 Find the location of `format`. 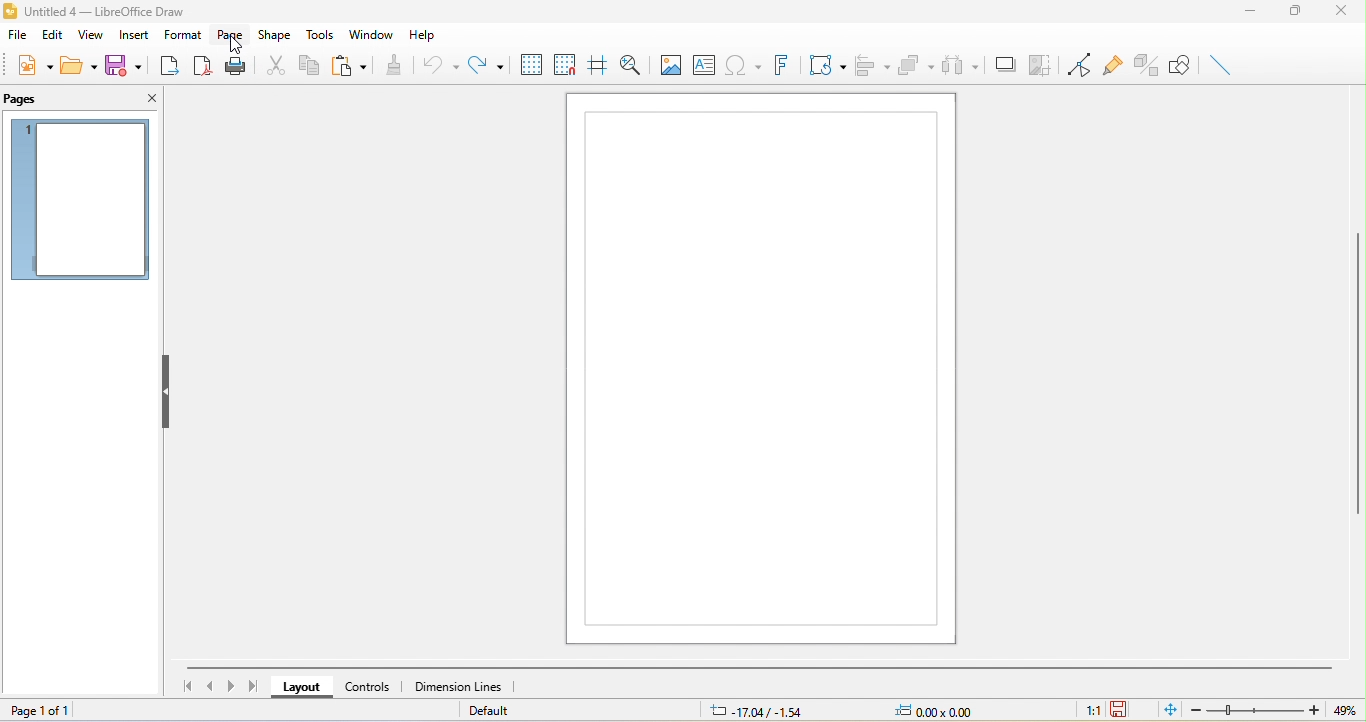

format is located at coordinates (182, 34).